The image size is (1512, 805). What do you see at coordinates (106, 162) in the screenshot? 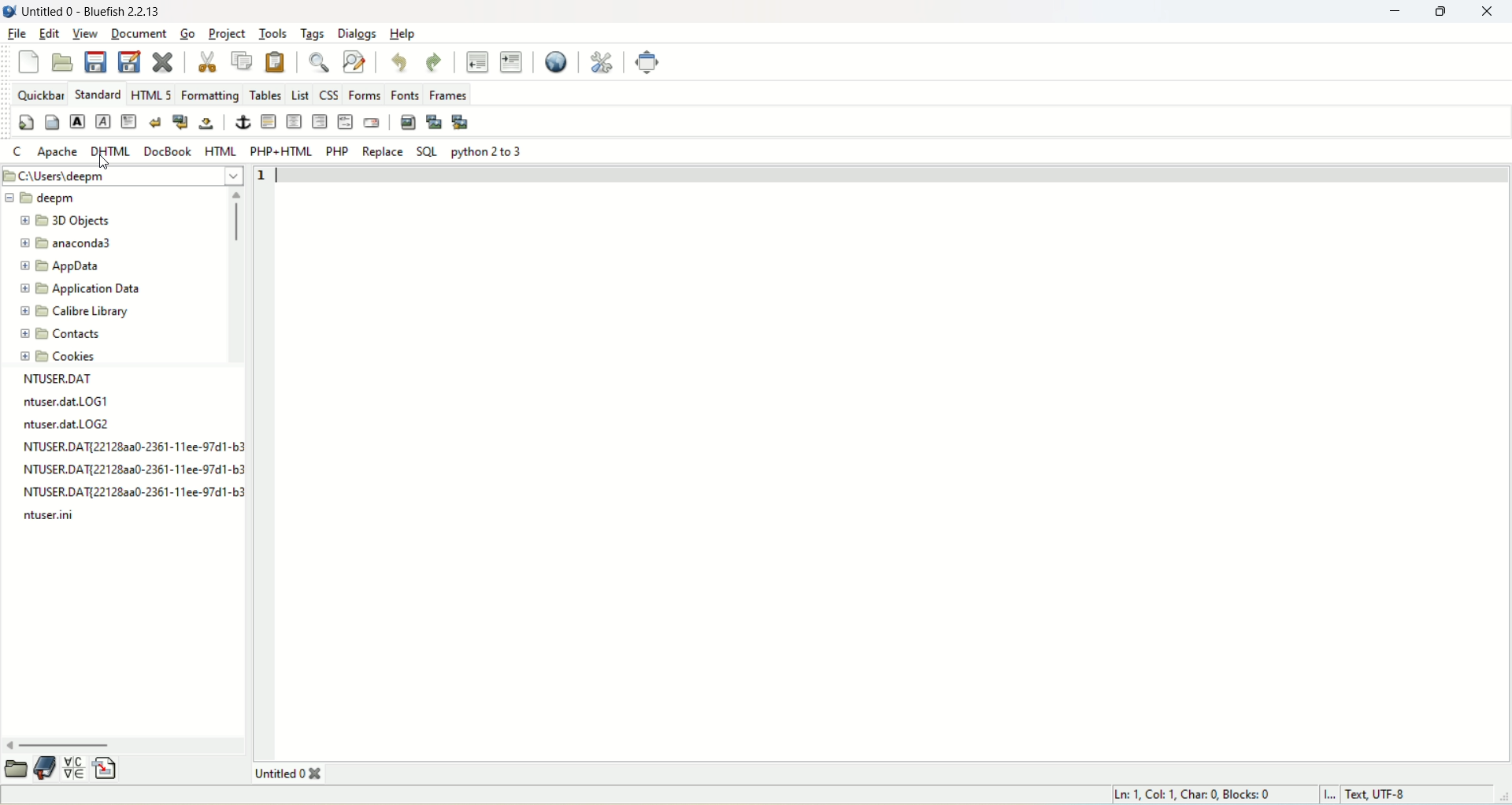
I see `Cursor` at bounding box center [106, 162].